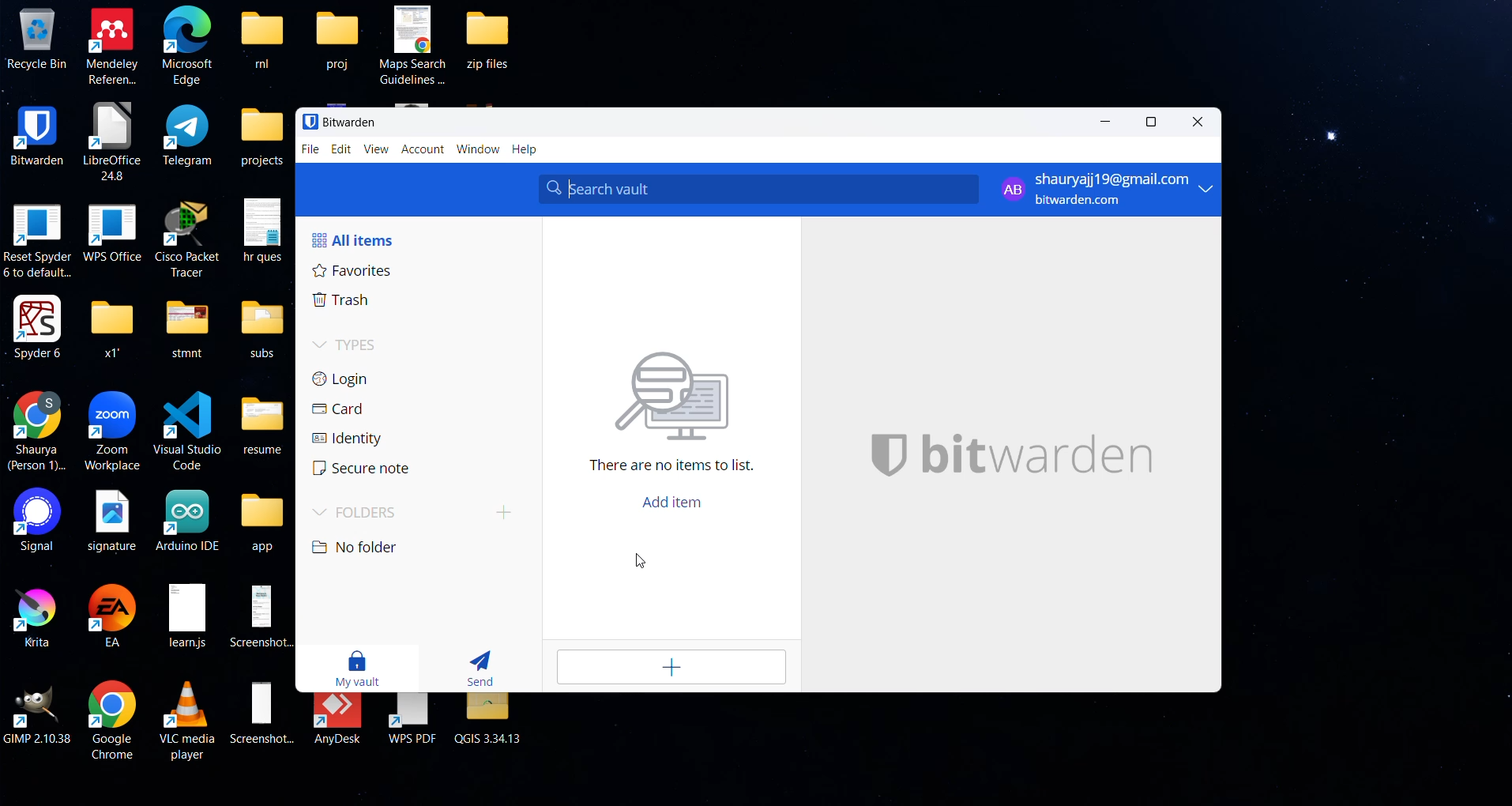 Image resolution: width=1512 pixels, height=806 pixels. I want to click on ml, so click(261, 38).